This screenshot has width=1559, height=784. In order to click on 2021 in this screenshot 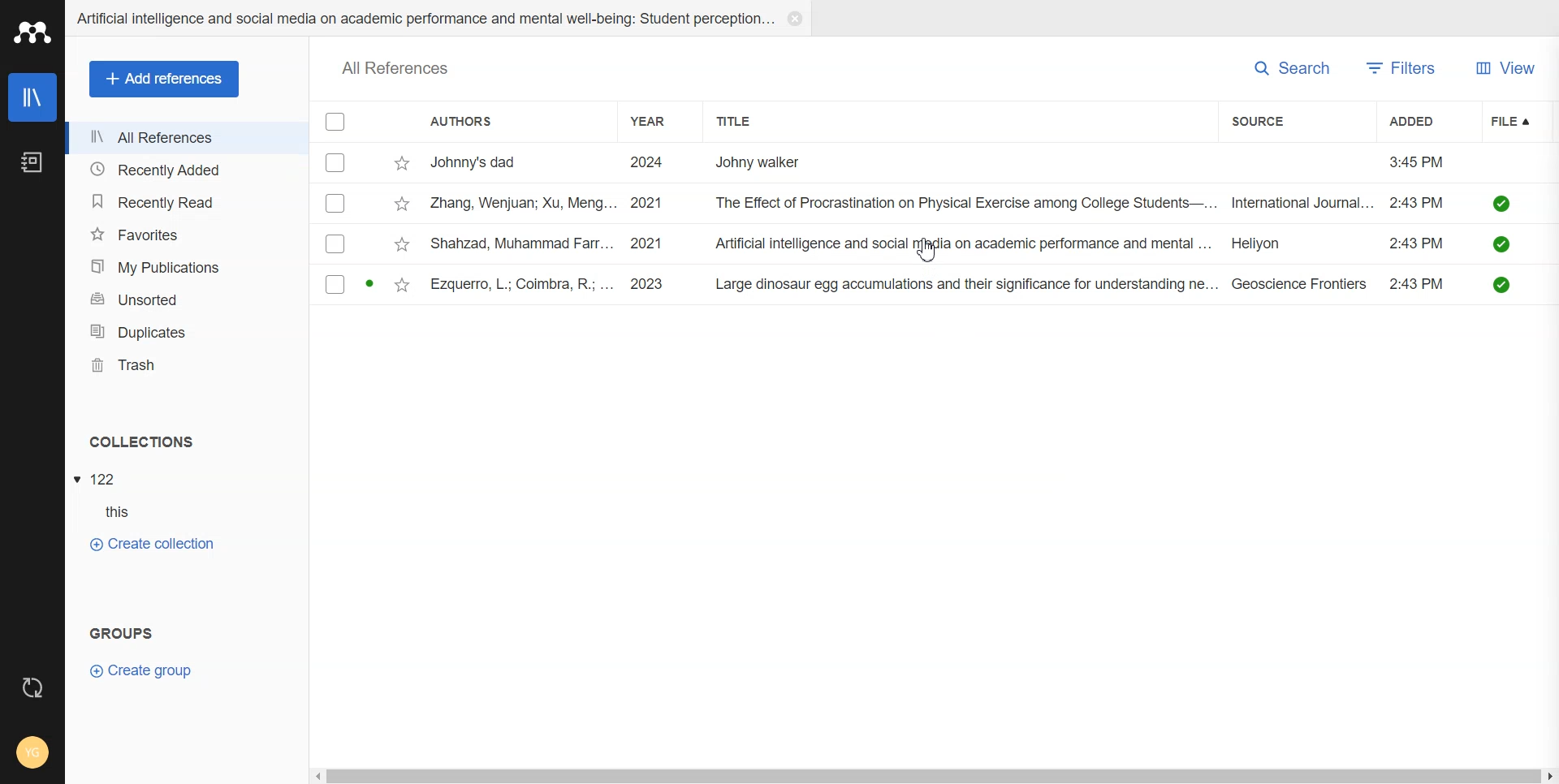, I will do `click(647, 204)`.